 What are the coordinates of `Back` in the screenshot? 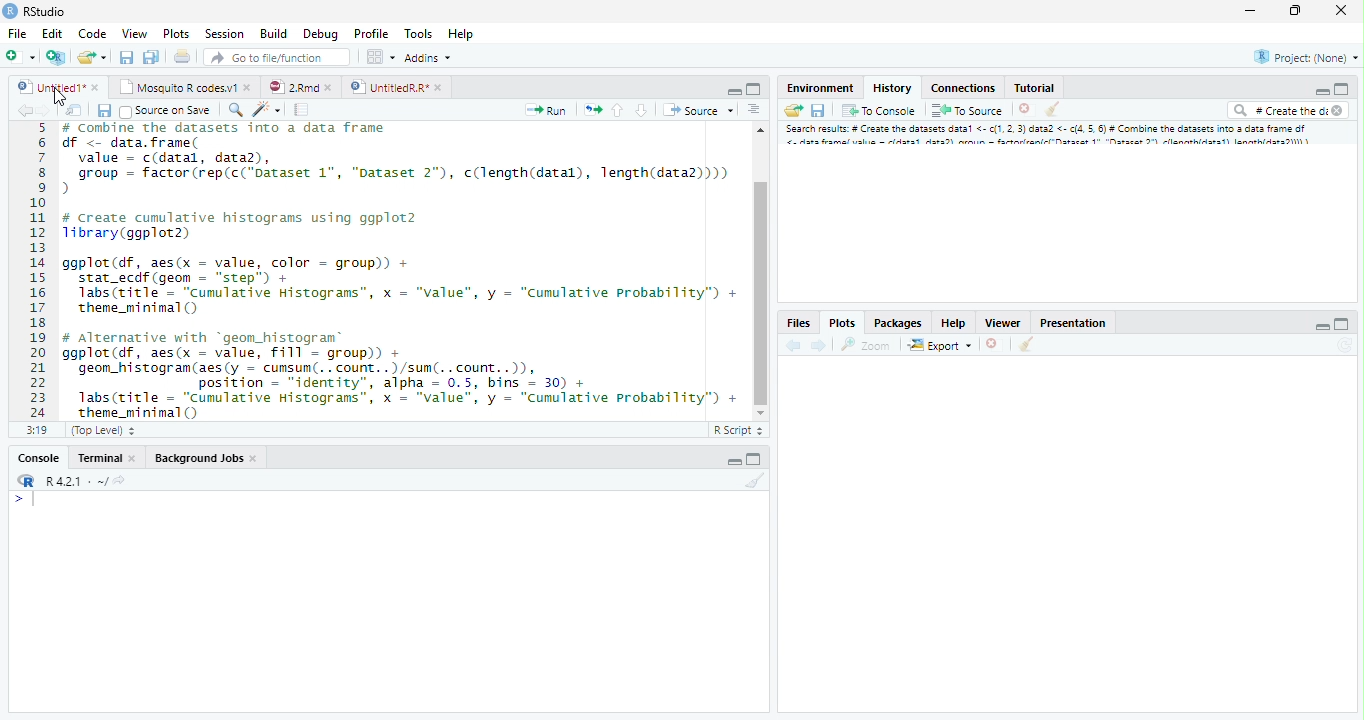 It's located at (17, 113).